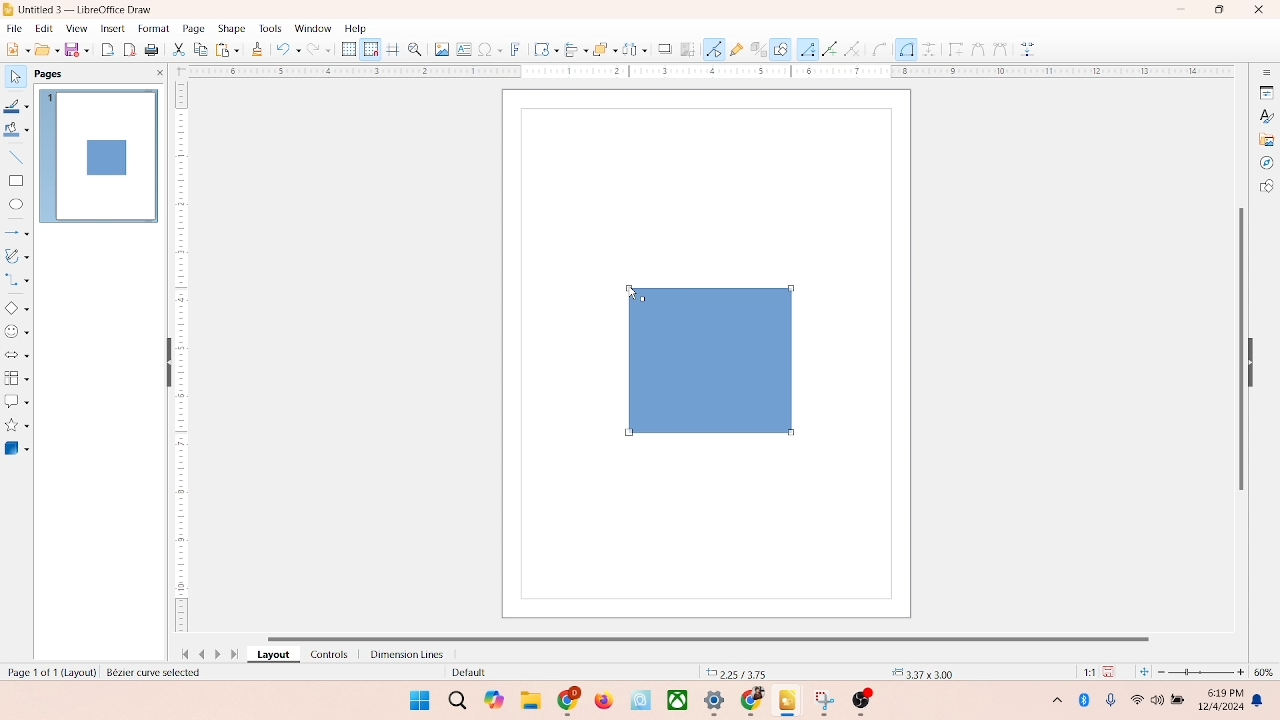 This screenshot has width=1280, height=720. Describe the element at coordinates (1266, 163) in the screenshot. I see `navigator` at that location.